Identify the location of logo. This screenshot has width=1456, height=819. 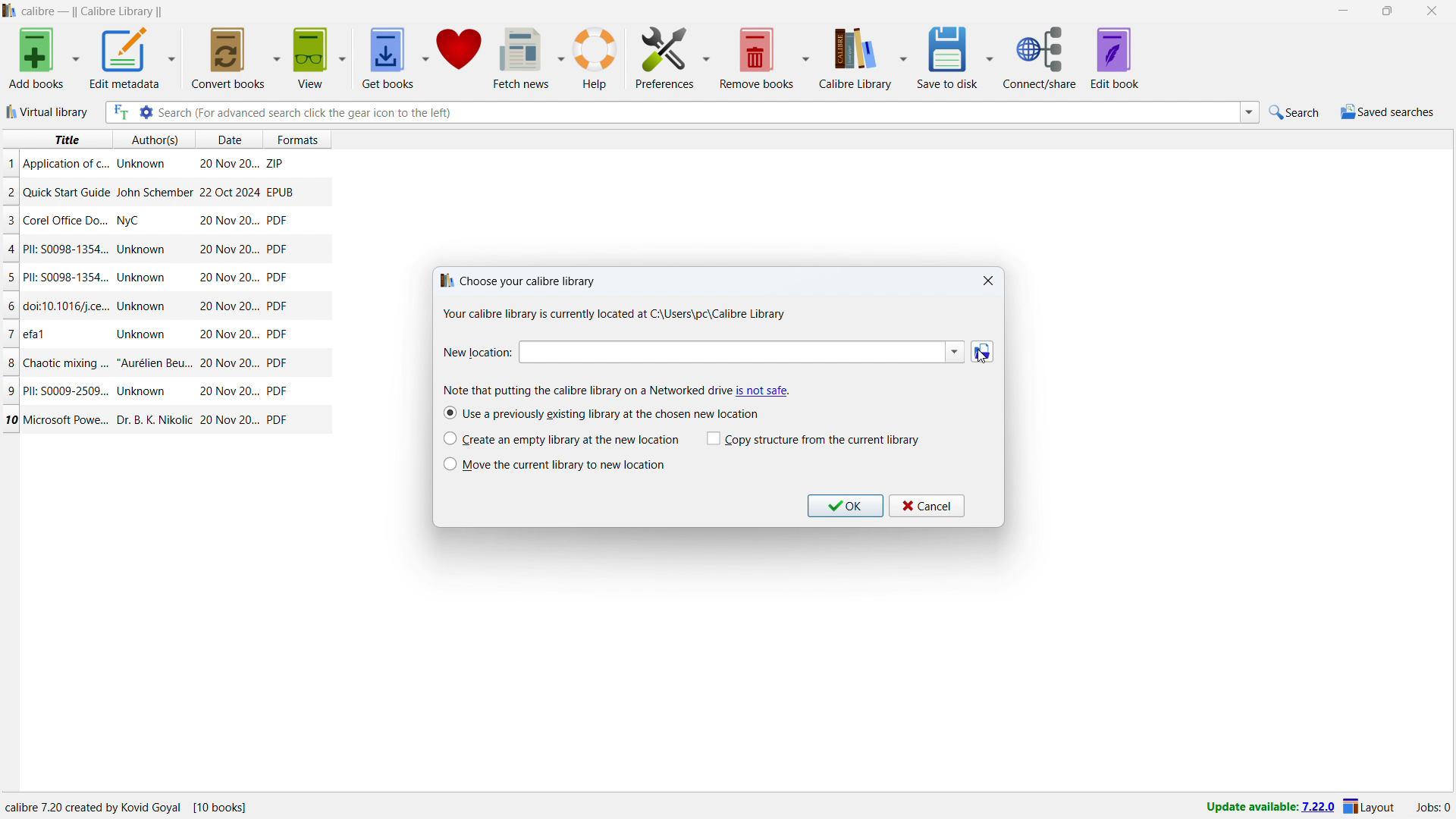
(10, 11).